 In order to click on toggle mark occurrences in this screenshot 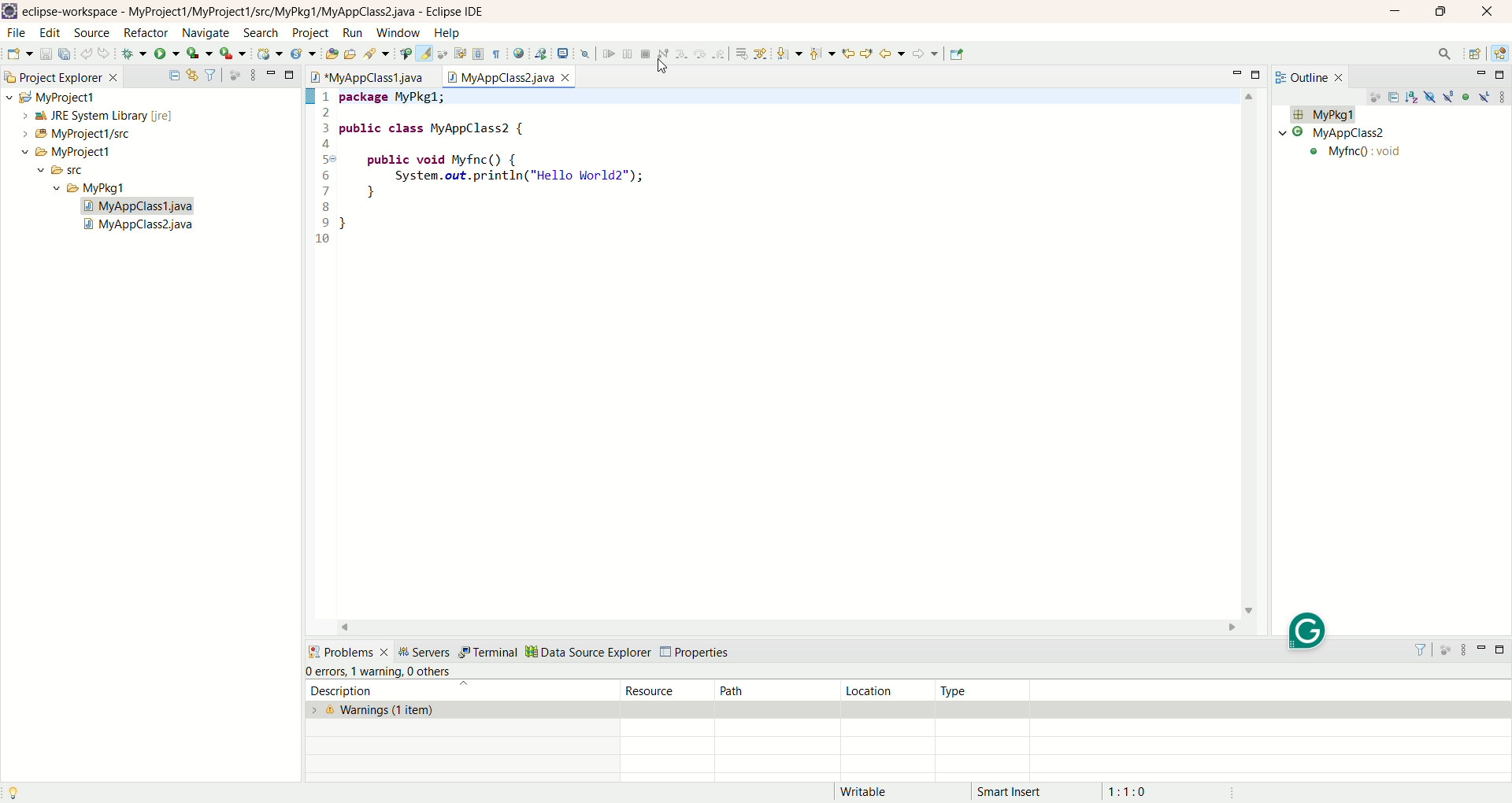, I will do `click(426, 54)`.